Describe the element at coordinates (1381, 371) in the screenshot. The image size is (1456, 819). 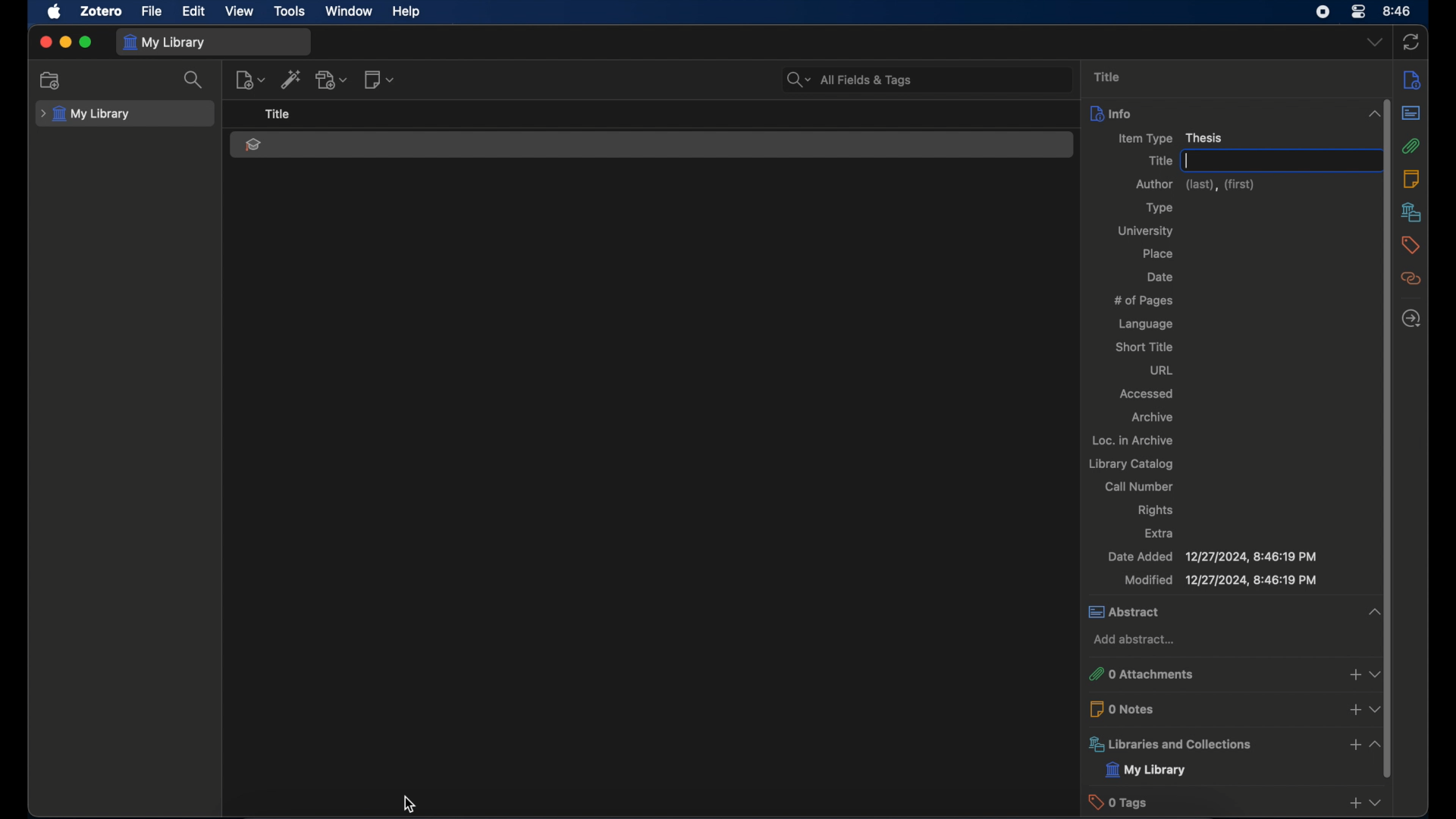
I see `vertical scrollbar` at that location.